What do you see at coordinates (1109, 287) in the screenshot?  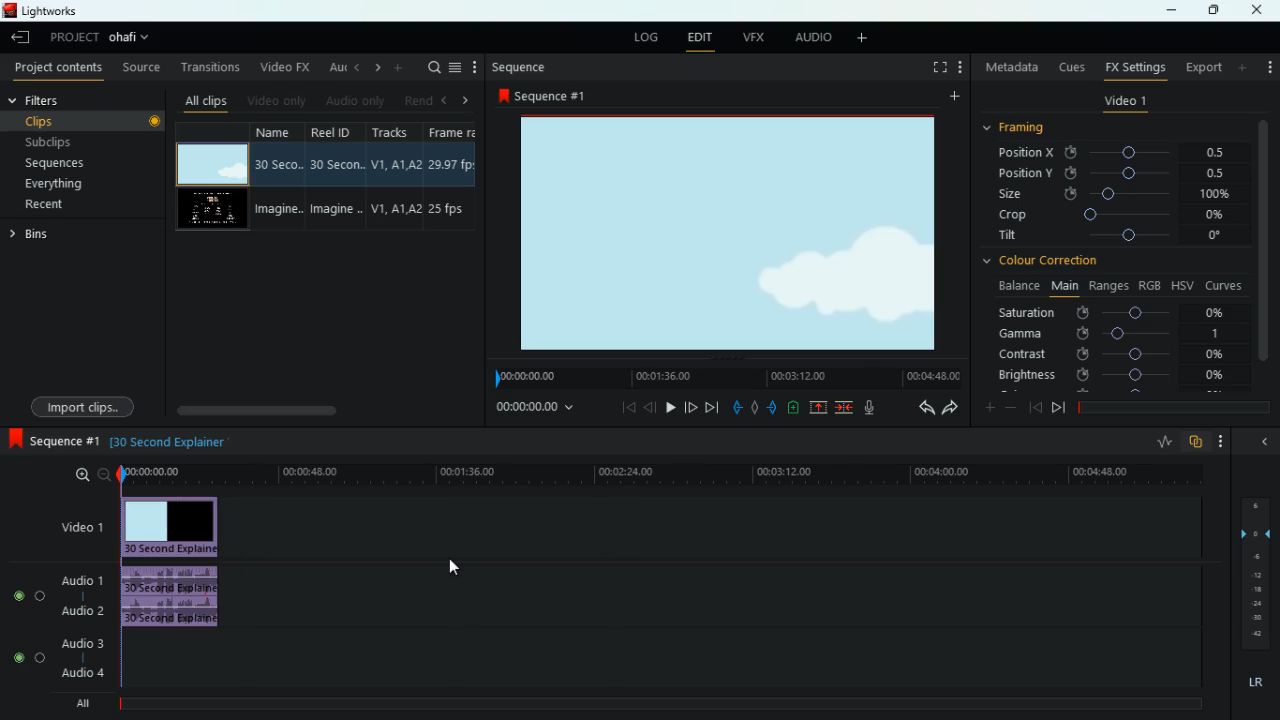 I see `ranges` at bounding box center [1109, 287].